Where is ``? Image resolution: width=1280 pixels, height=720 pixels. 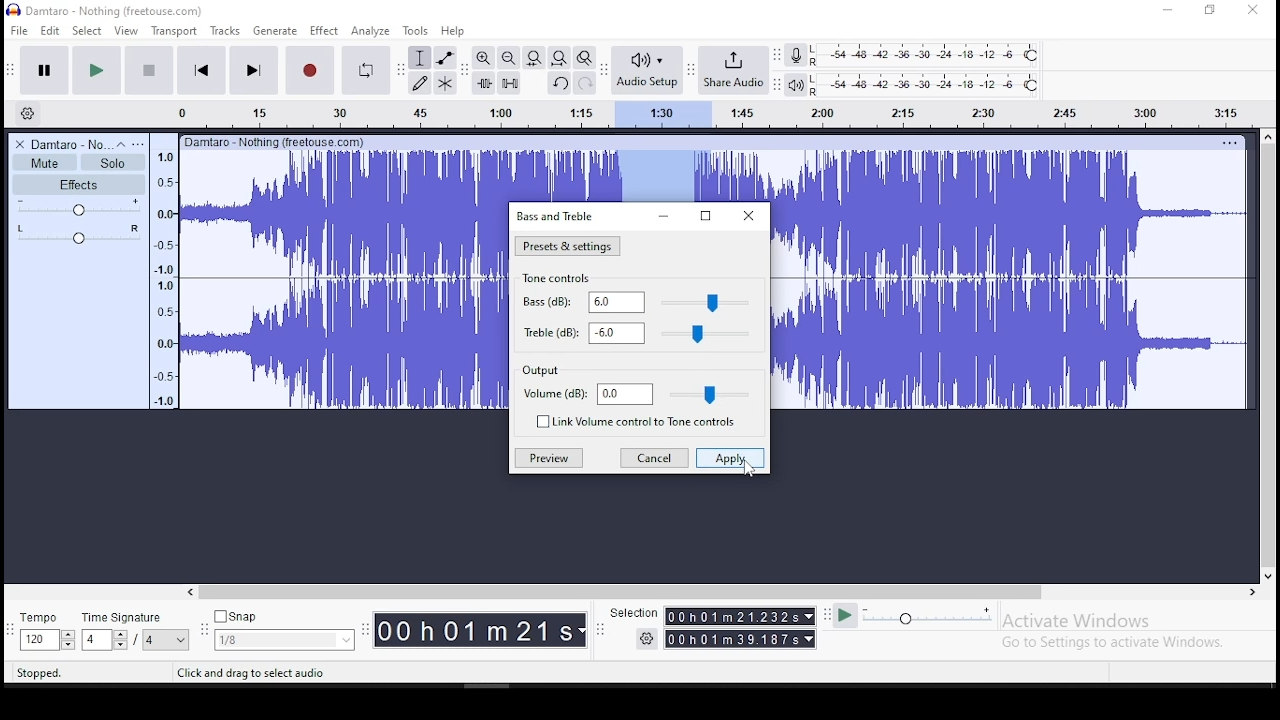  is located at coordinates (601, 630).